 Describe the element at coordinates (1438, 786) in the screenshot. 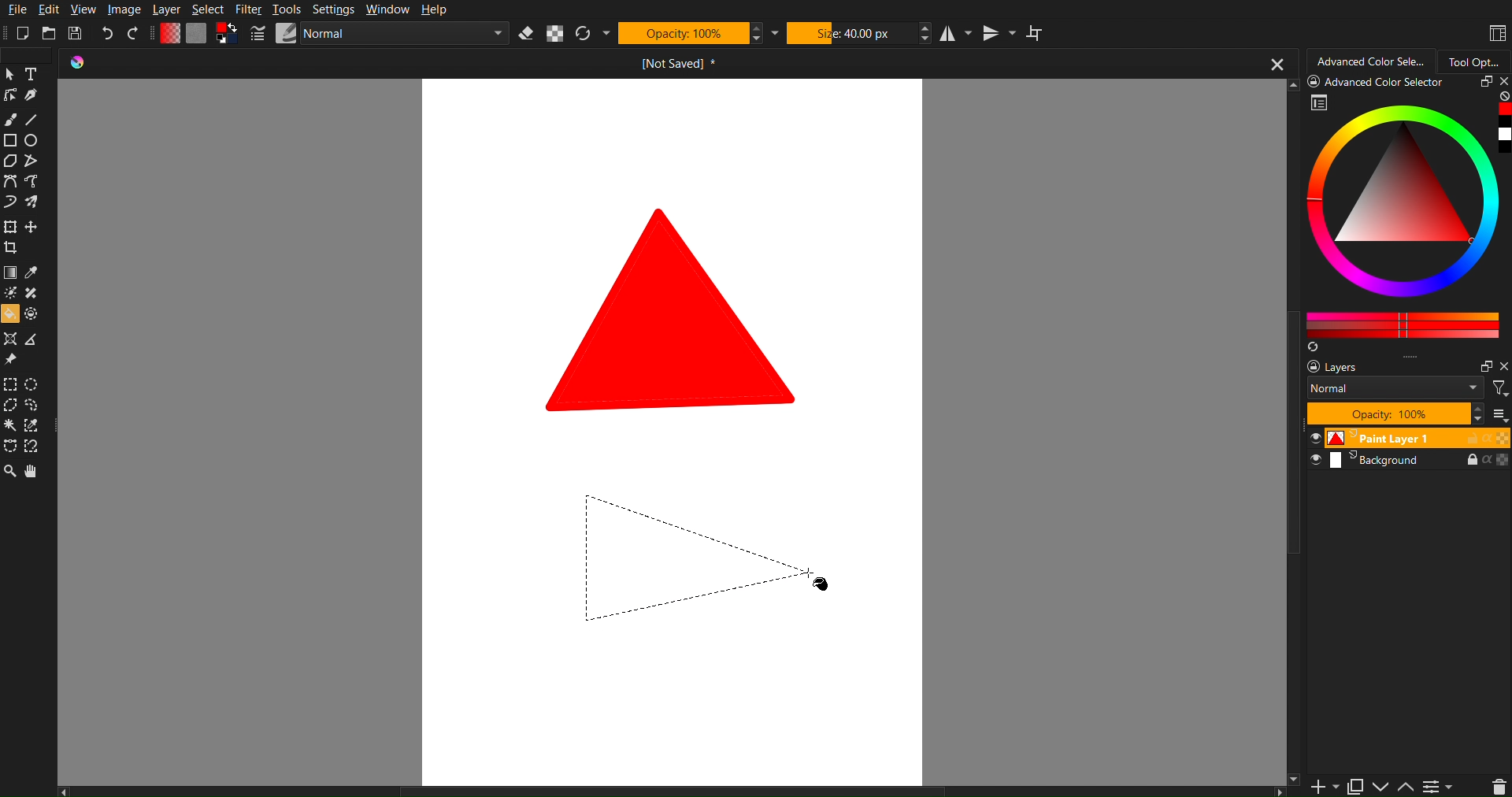

I see `Menu` at that location.